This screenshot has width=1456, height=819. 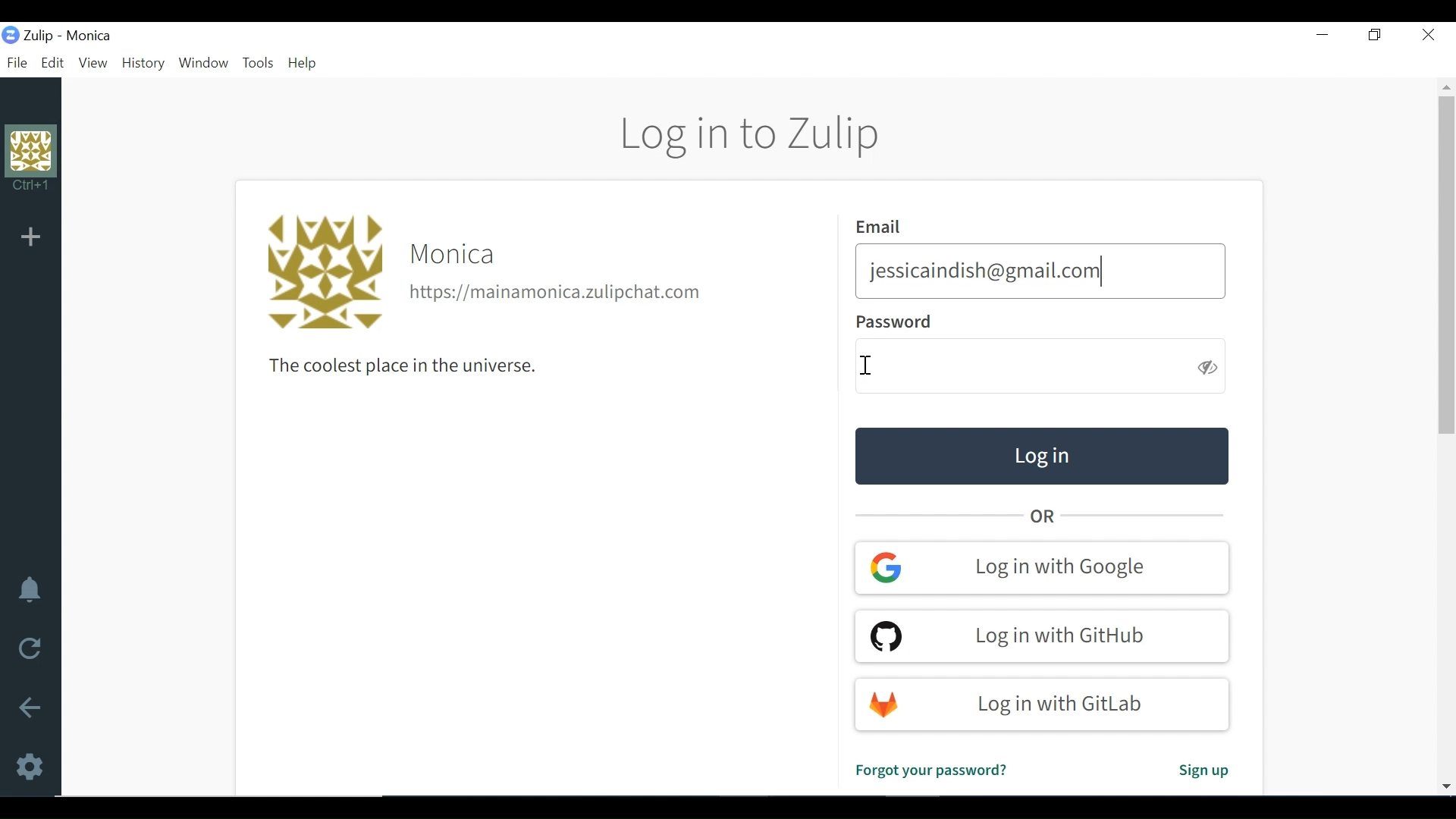 What do you see at coordinates (869, 365) in the screenshot?
I see `Text Cursor` at bounding box center [869, 365].